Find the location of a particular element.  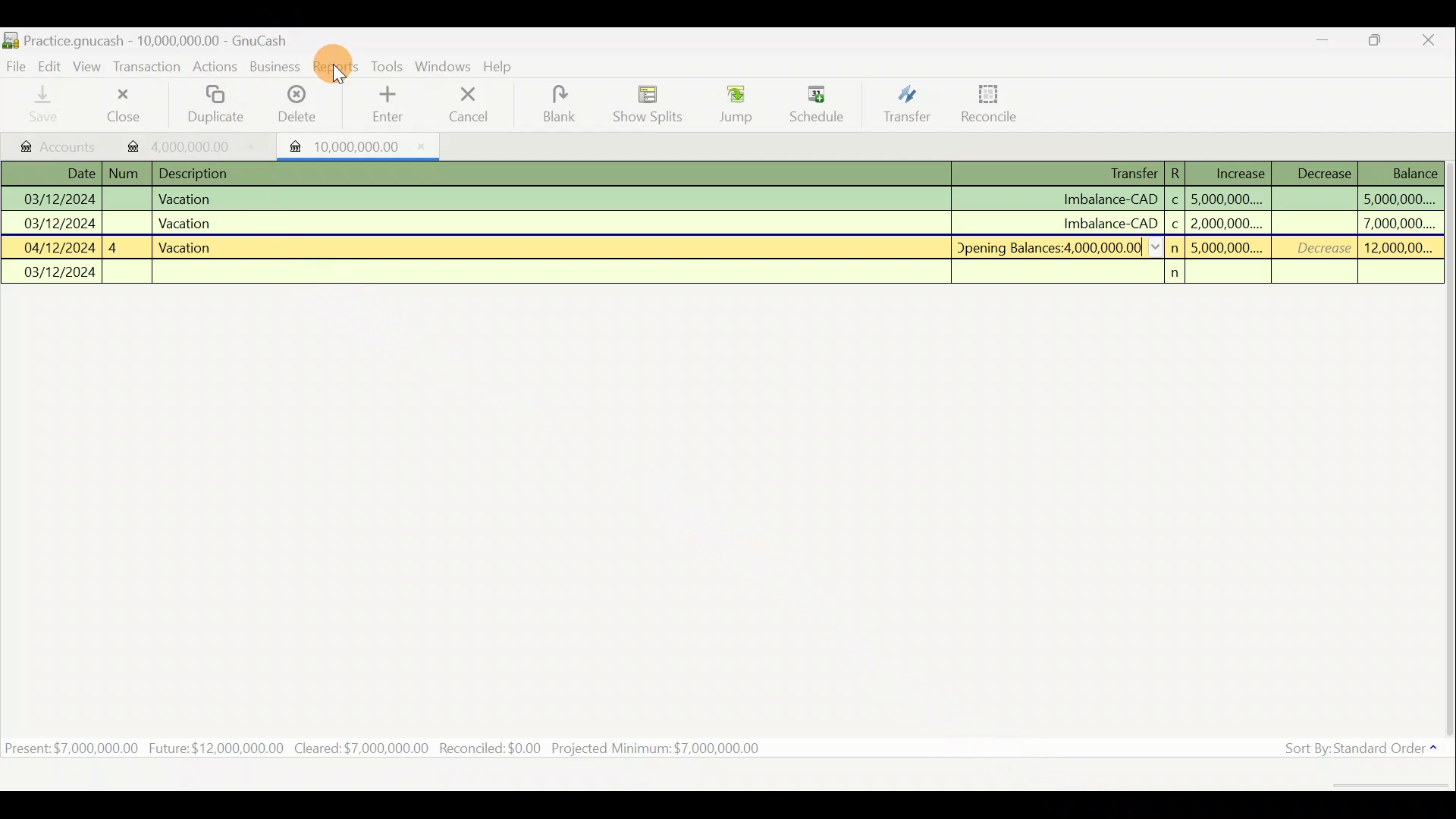

Present: $7,000,000.00 Future: $12,000,000.00 Cleared:$7,000,000.00 Recondiled:$0.00 Projected Minimum: $7,000,000.00 is located at coordinates (386, 747).